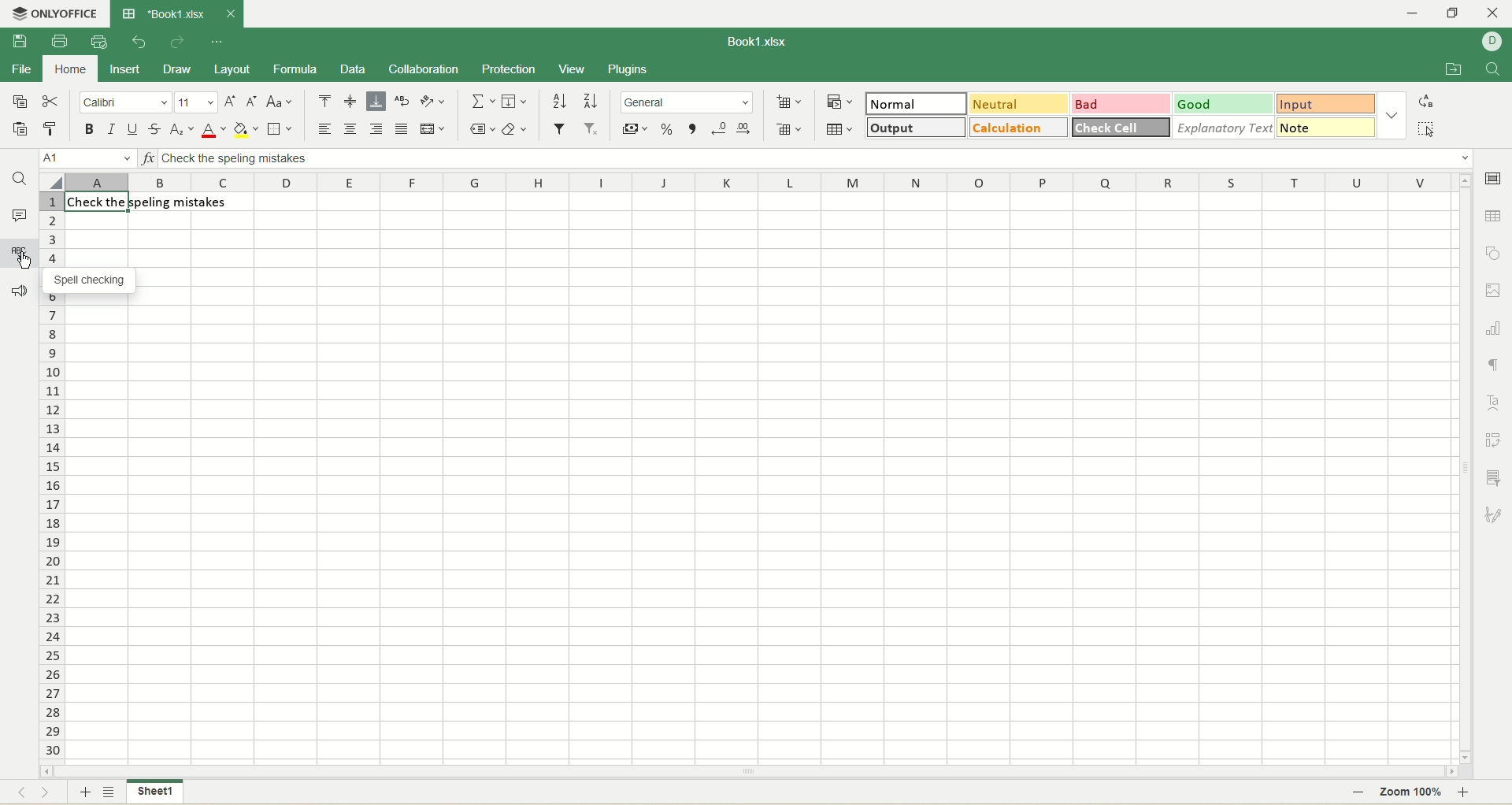  I want to click on input, so click(1325, 102).